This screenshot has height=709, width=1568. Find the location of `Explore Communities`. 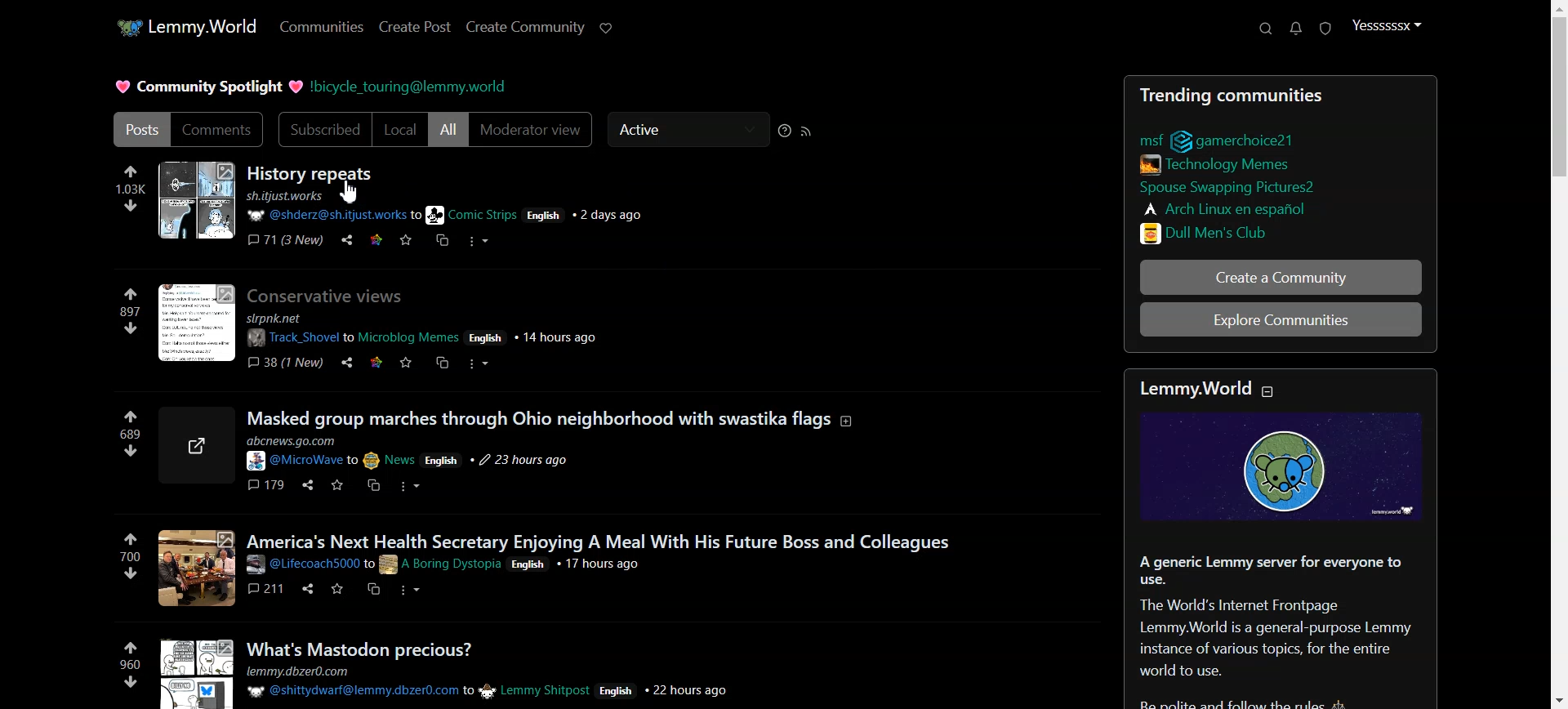

Explore Communities is located at coordinates (1280, 320).